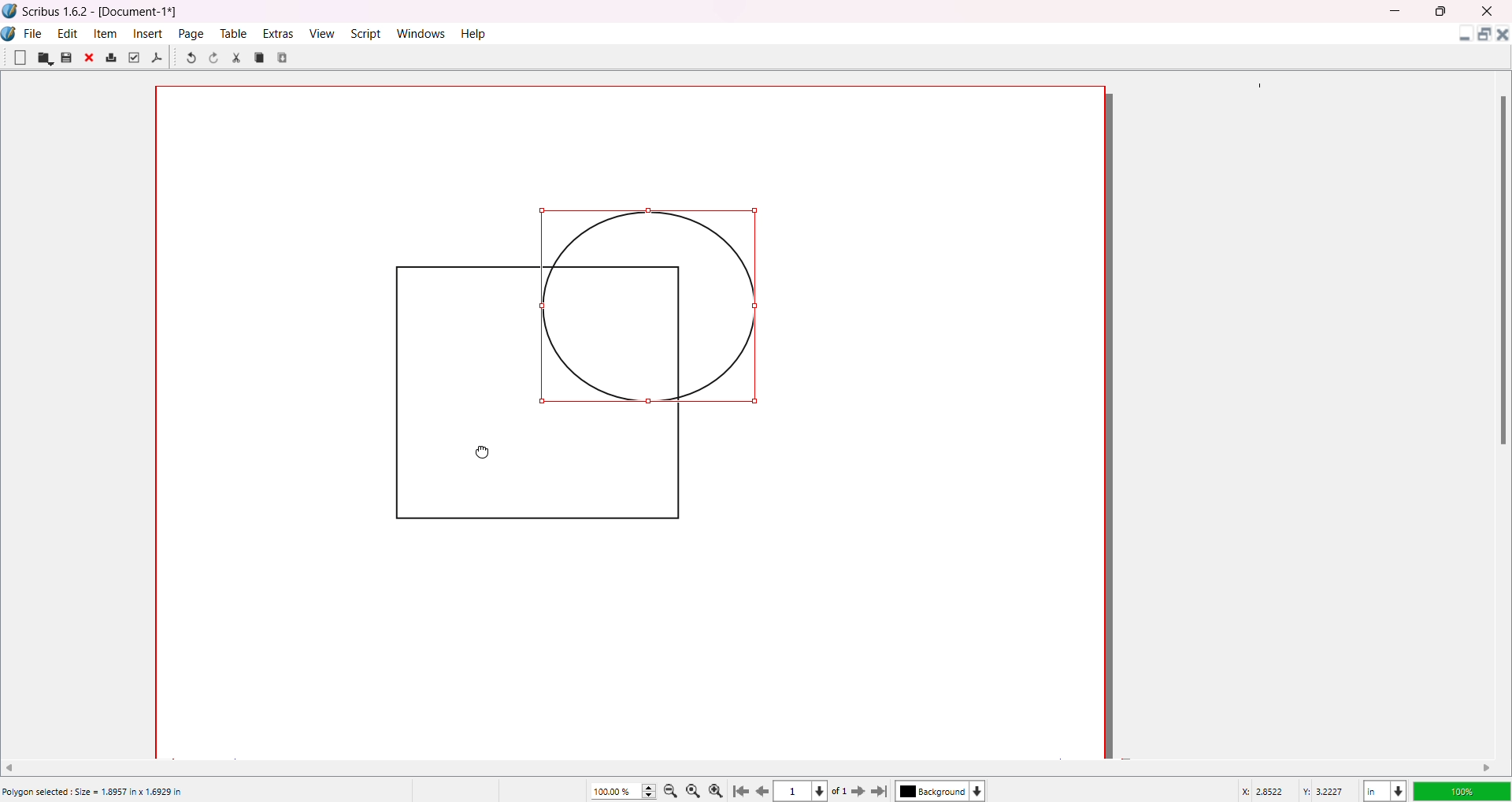 The height and width of the screenshot is (802, 1512). I want to click on Latitude/Longitude, so click(1295, 790).